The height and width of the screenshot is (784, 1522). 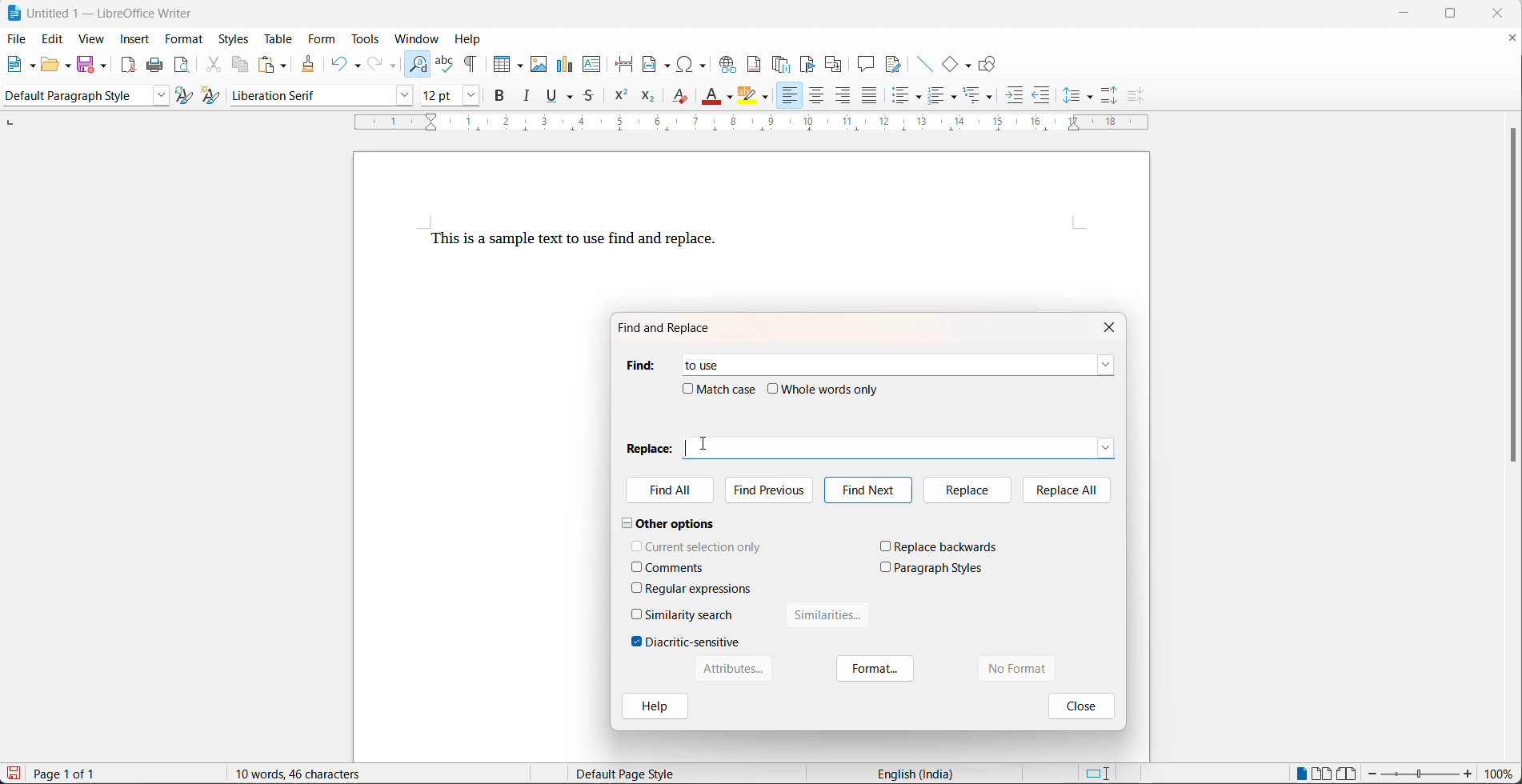 I want to click on toggle unordered list options, so click(x=920, y=98).